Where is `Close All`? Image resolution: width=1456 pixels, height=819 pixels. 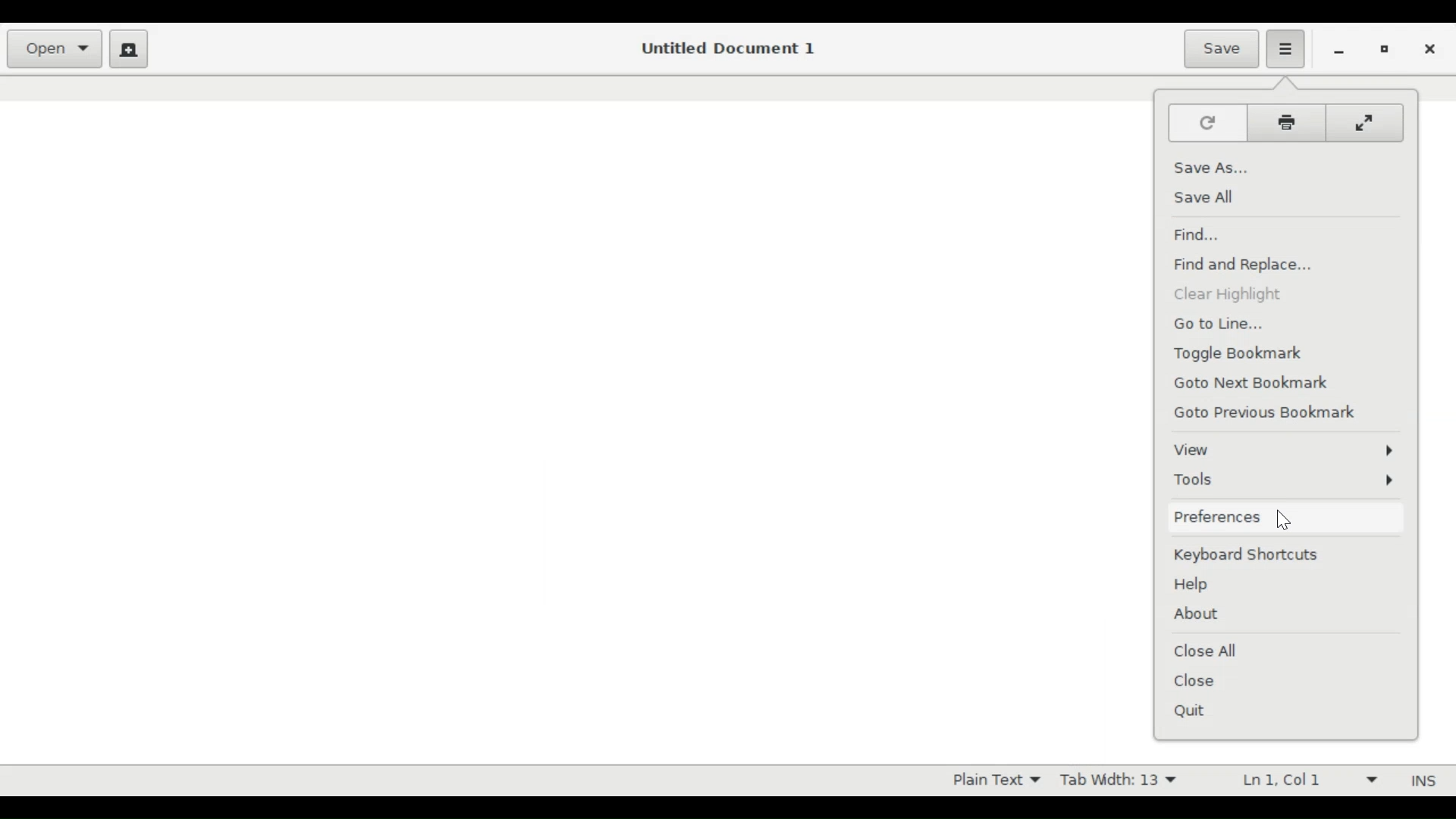 Close All is located at coordinates (1216, 649).